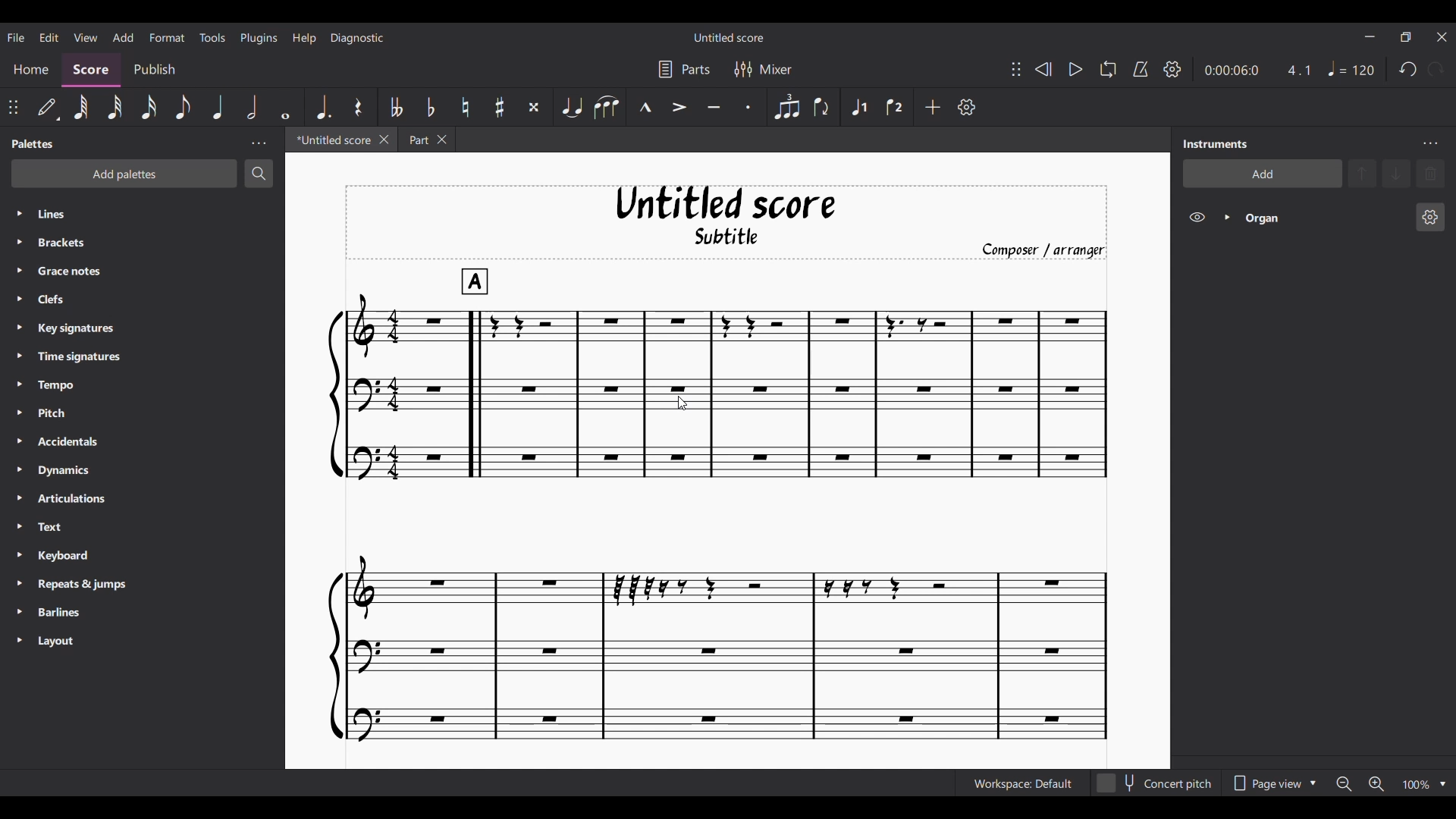 The height and width of the screenshot is (819, 1456). Describe the element at coordinates (1407, 70) in the screenshot. I see `Undo` at that location.